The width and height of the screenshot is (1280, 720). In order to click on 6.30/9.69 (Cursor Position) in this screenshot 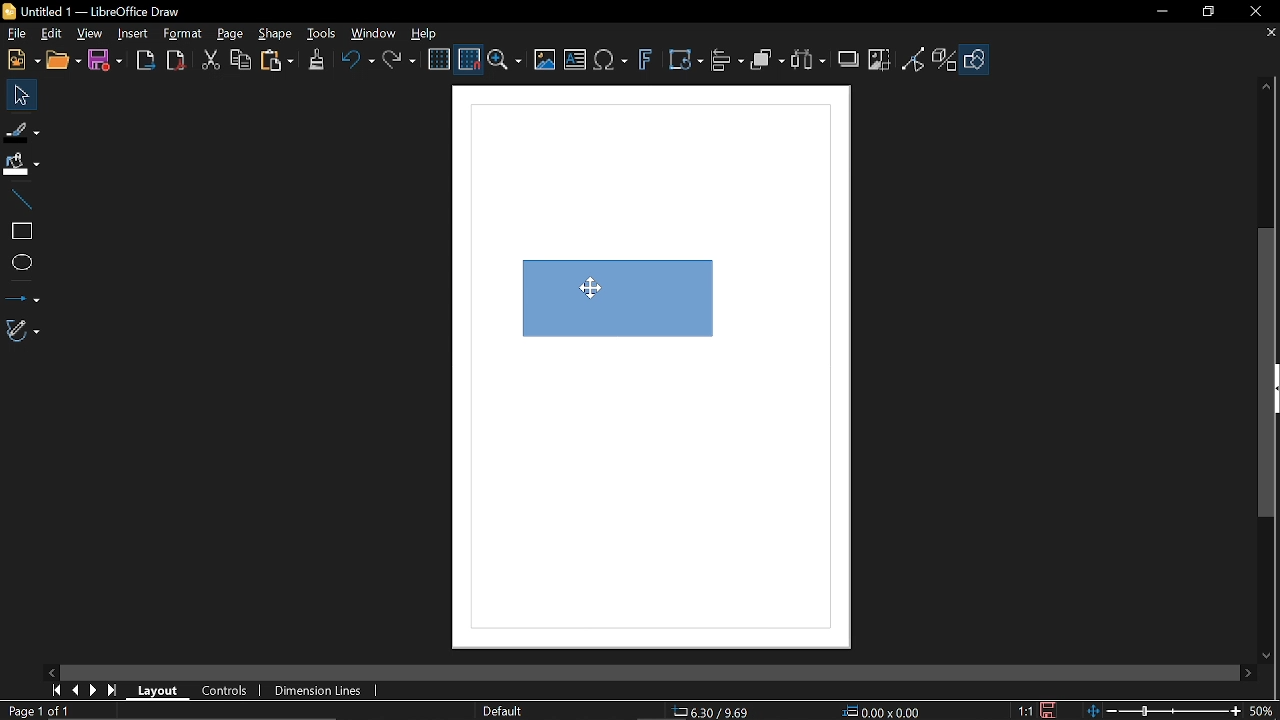, I will do `click(714, 712)`.